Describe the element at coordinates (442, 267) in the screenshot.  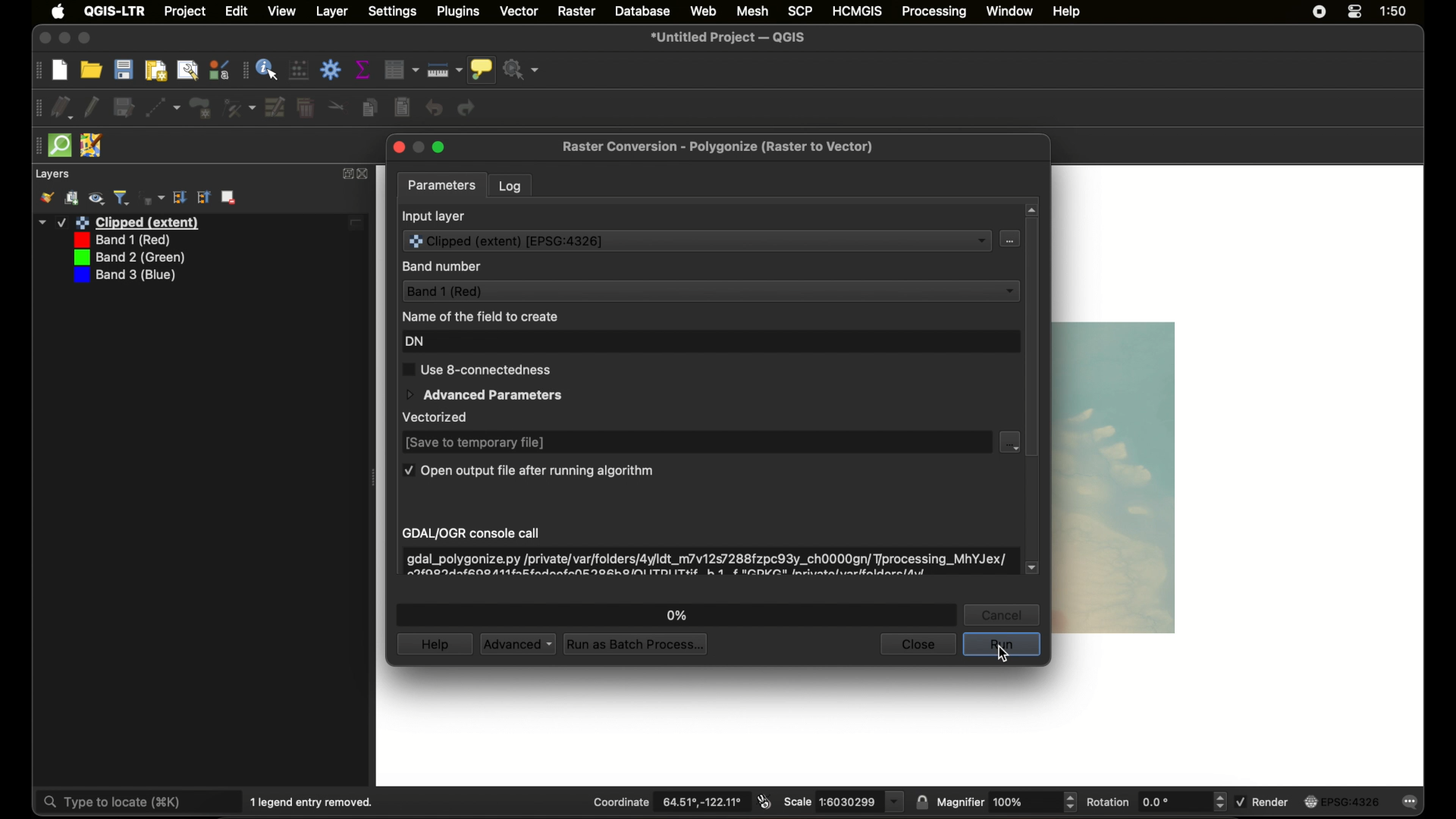
I see `band number` at that location.